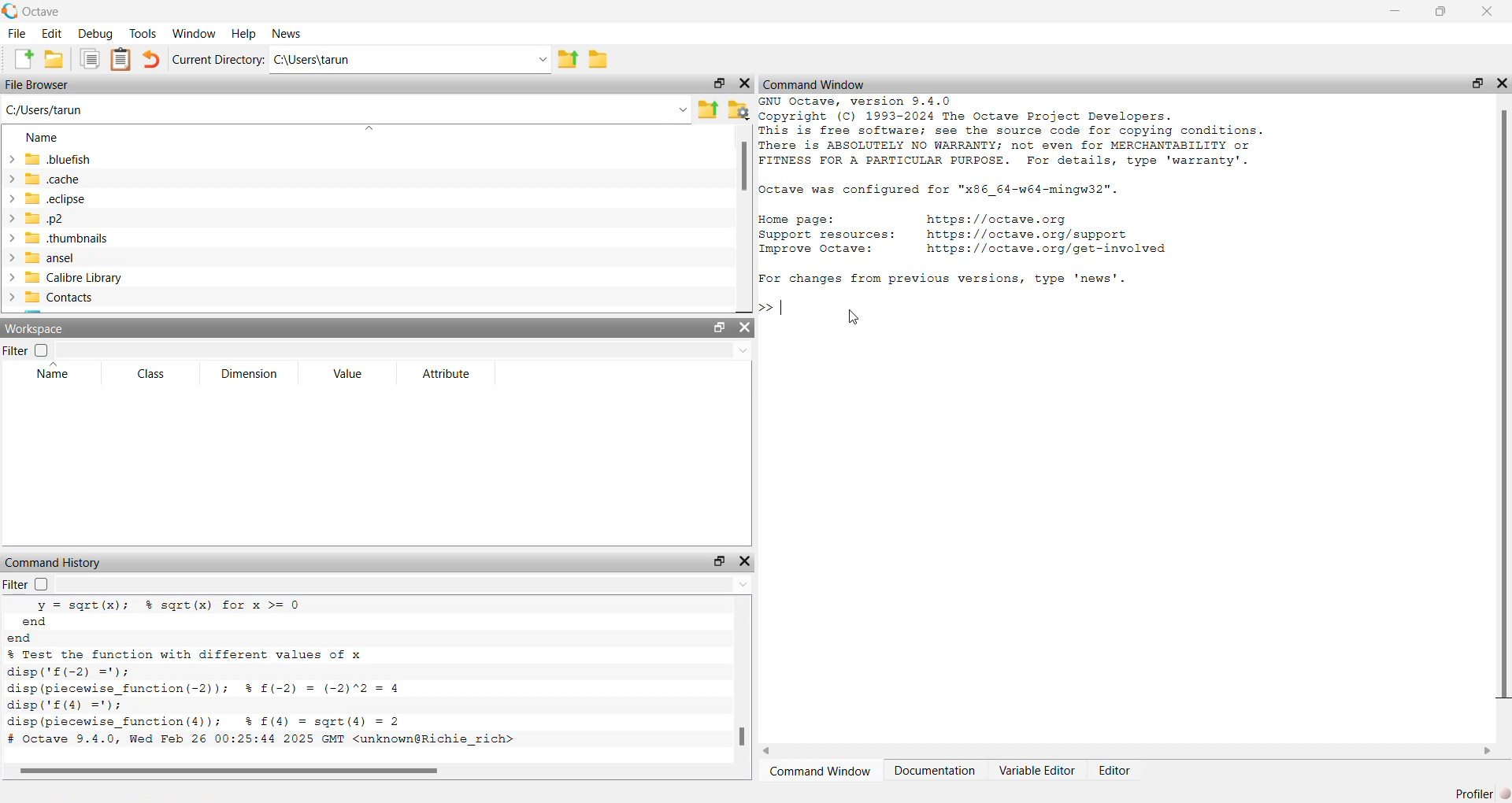 The image size is (1512, 803). I want to click on News, so click(282, 35).